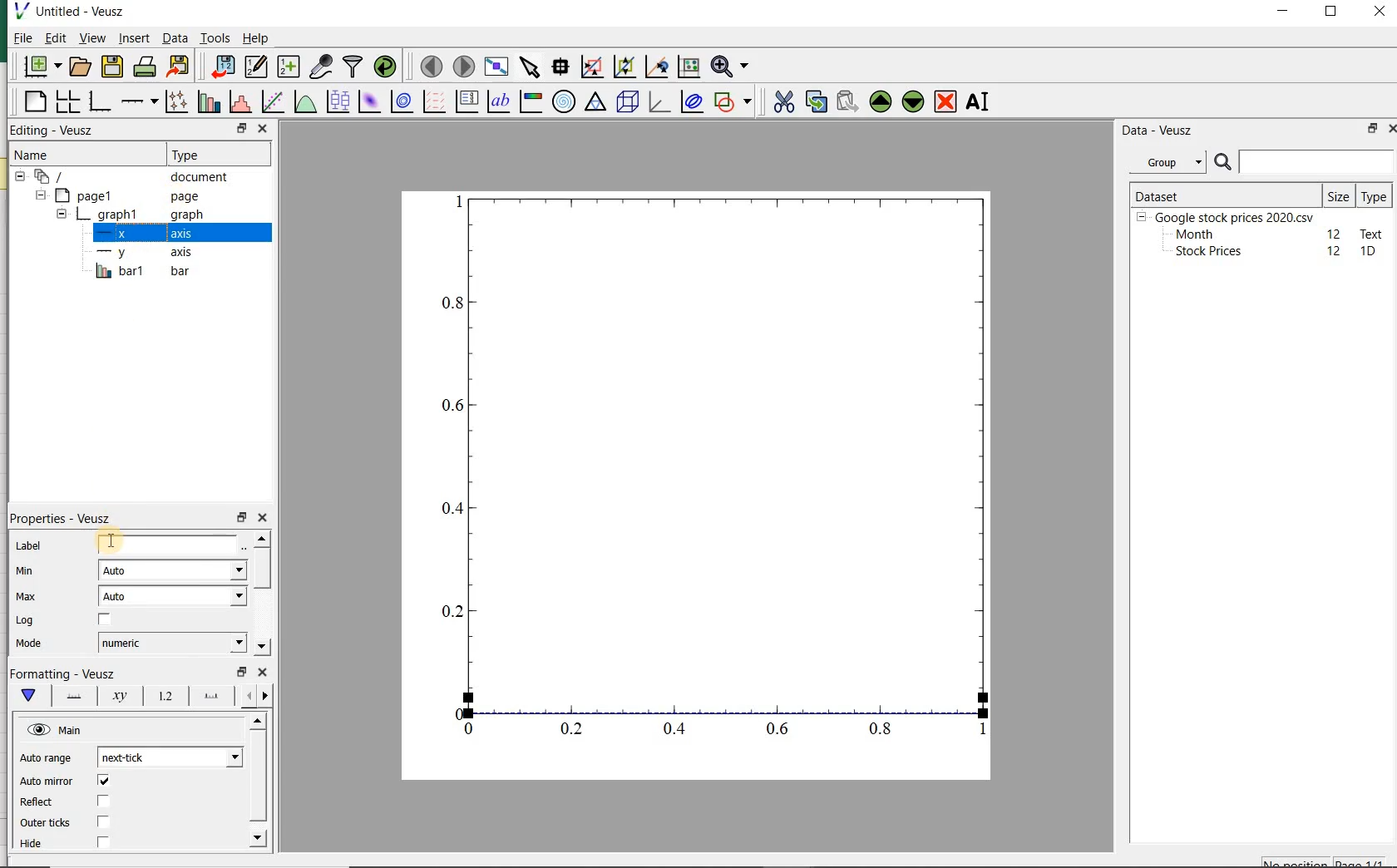  What do you see at coordinates (18, 40) in the screenshot?
I see `File` at bounding box center [18, 40].